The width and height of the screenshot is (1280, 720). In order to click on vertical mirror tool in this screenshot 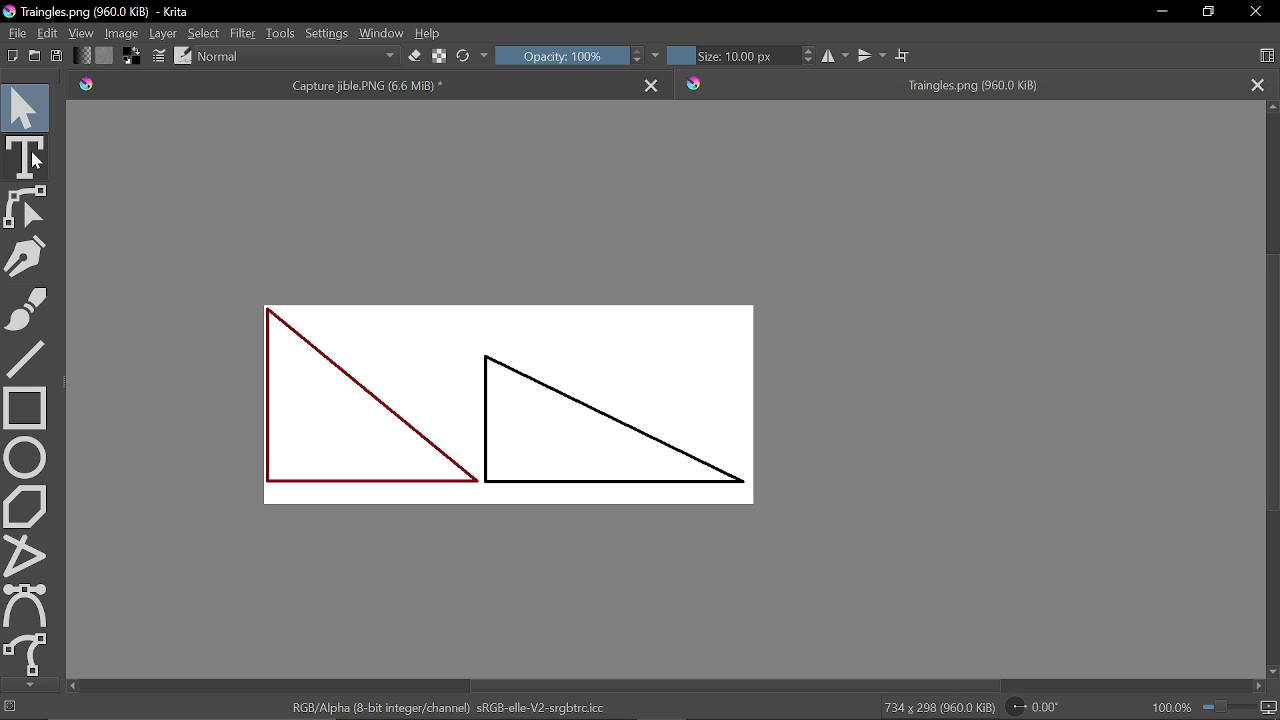, I will do `click(871, 56)`.